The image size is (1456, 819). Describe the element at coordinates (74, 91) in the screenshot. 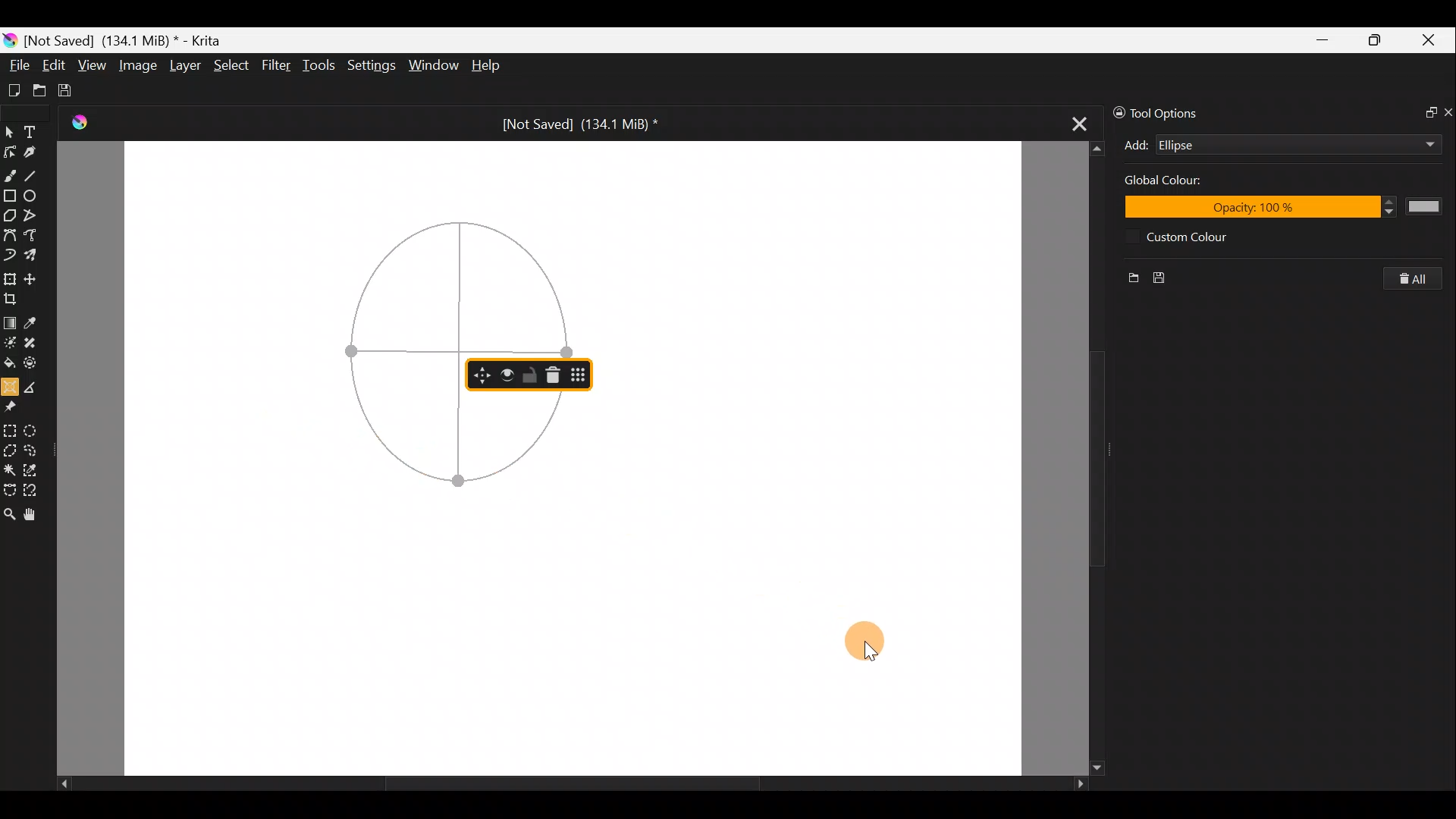

I see `Save` at that location.